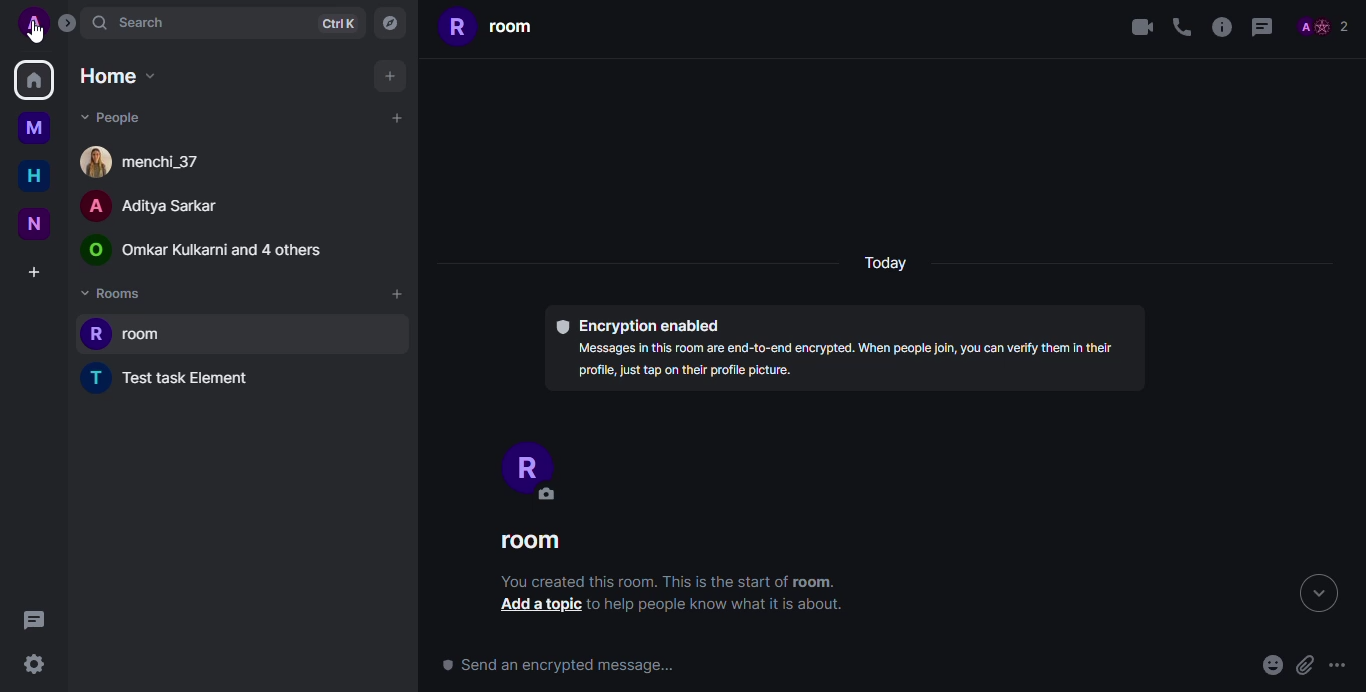 This screenshot has width=1366, height=692. Describe the element at coordinates (886, 264) in the screenshot. I see `today` at that location.